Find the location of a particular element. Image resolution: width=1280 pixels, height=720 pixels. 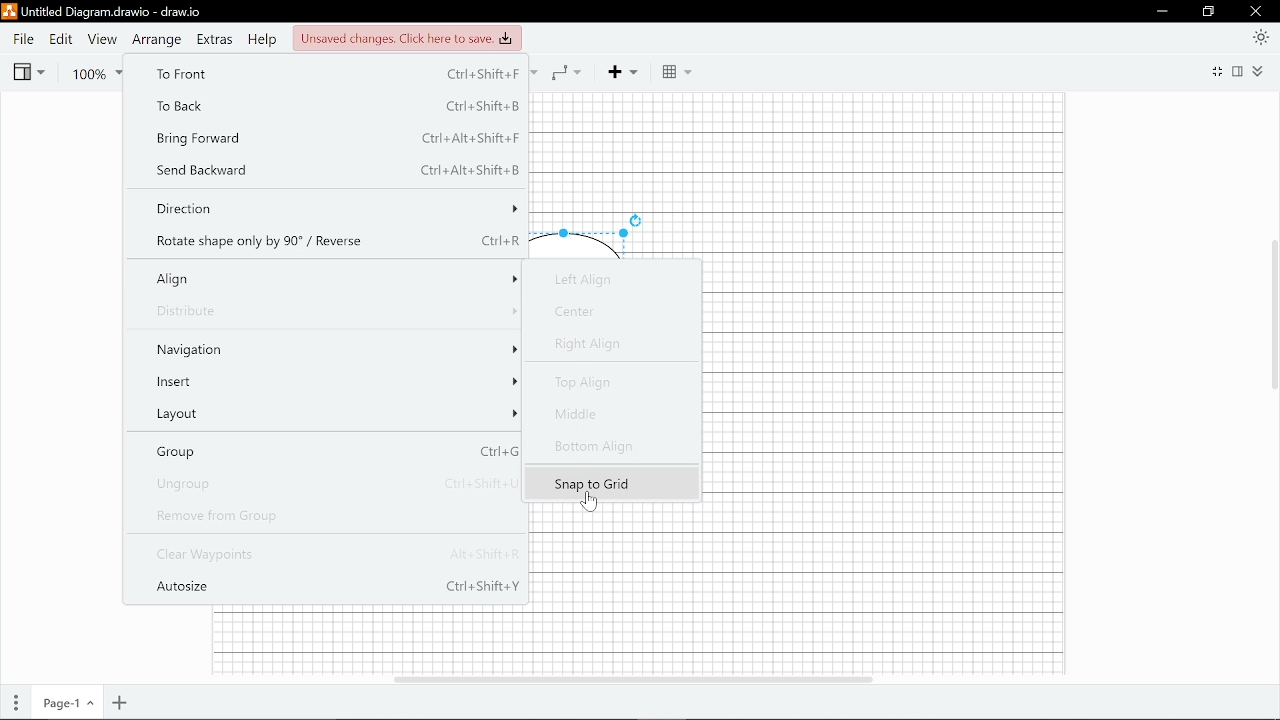

ungroup is located at coordinates (336, 484).